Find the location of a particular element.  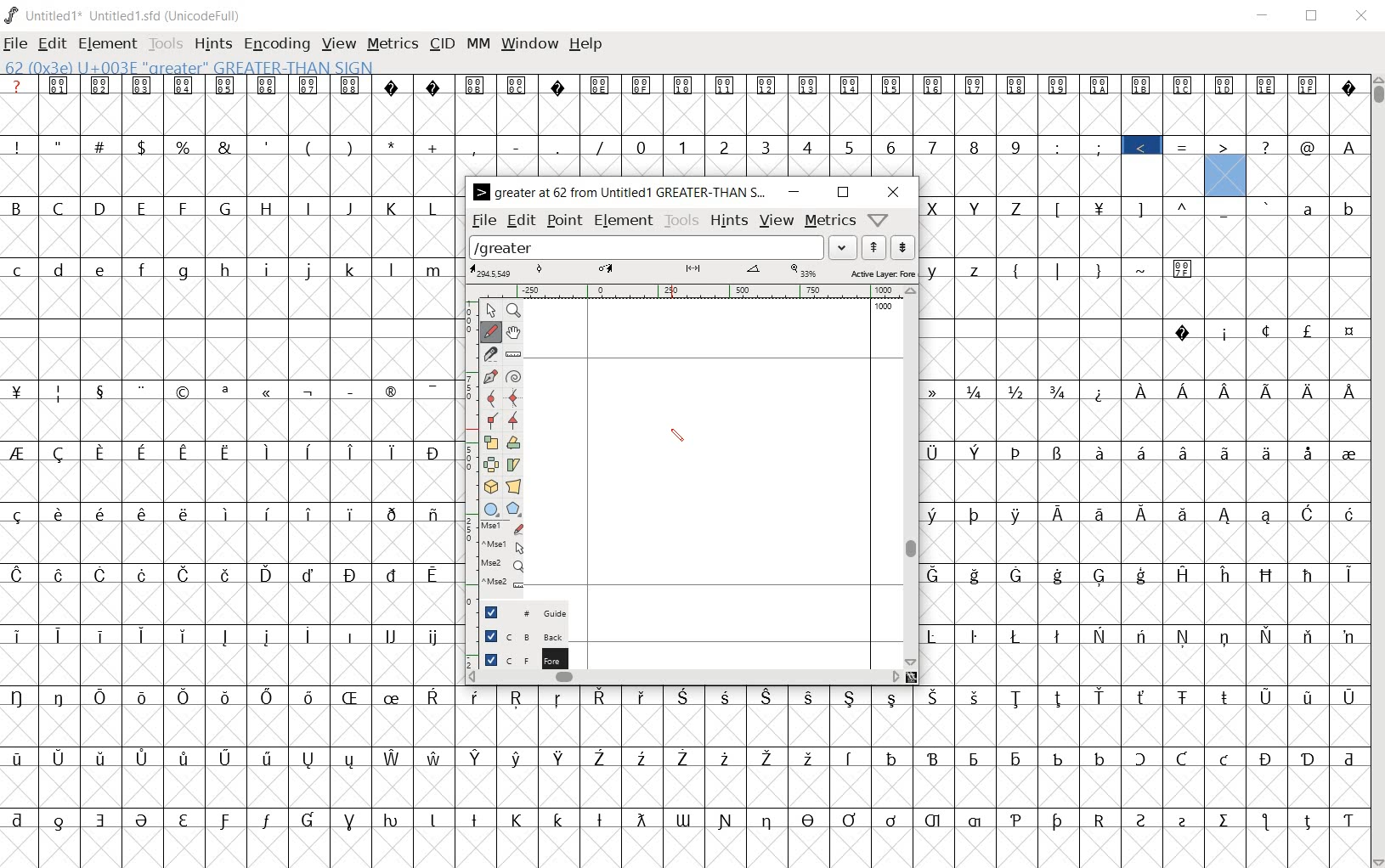

change whether spiro is active or not is located at coordinates (514, 375).